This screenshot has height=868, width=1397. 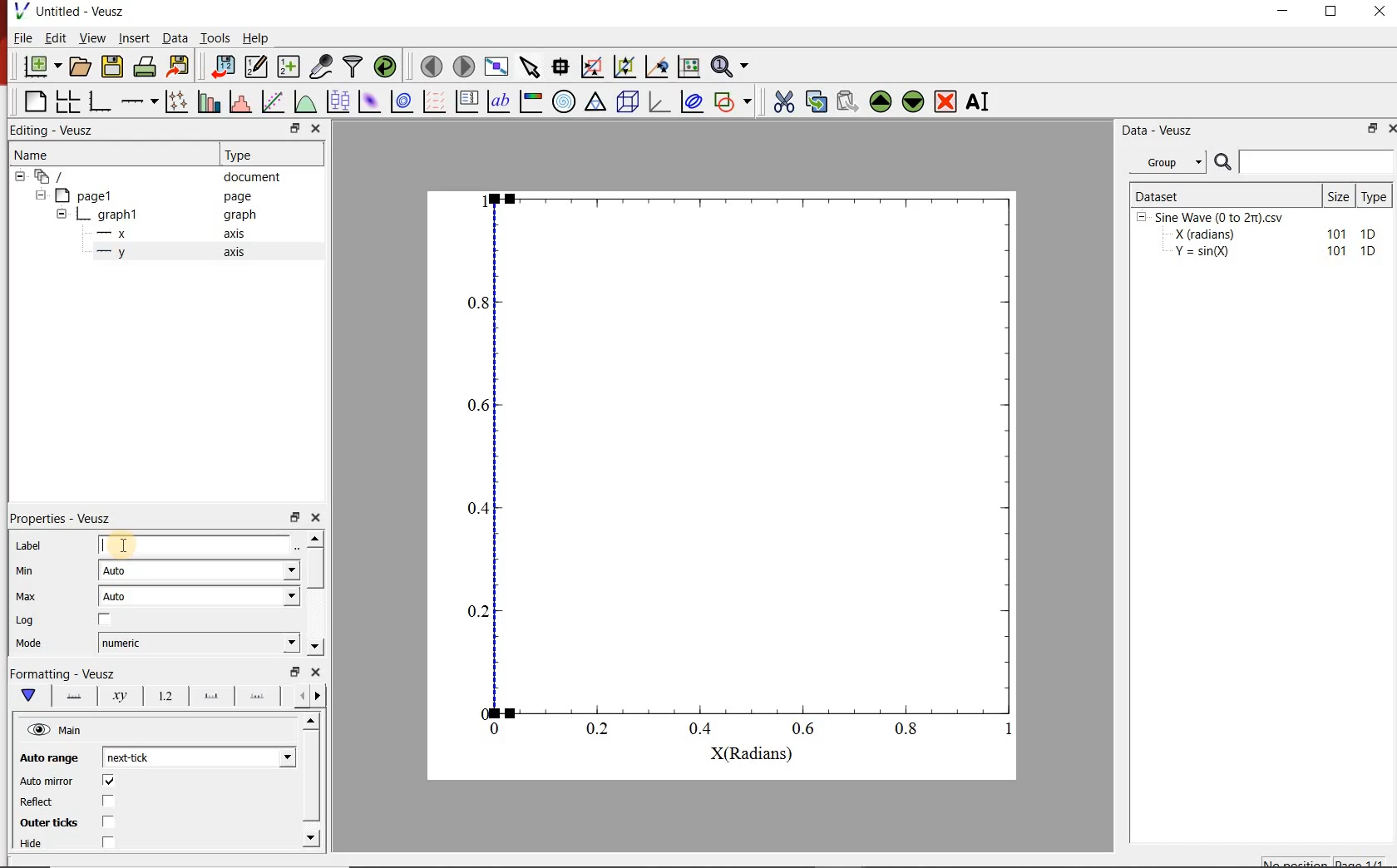 What do you see at coordinates (945, 101) in the screenshot?
I see `remove` at bounding box center [945, 101].